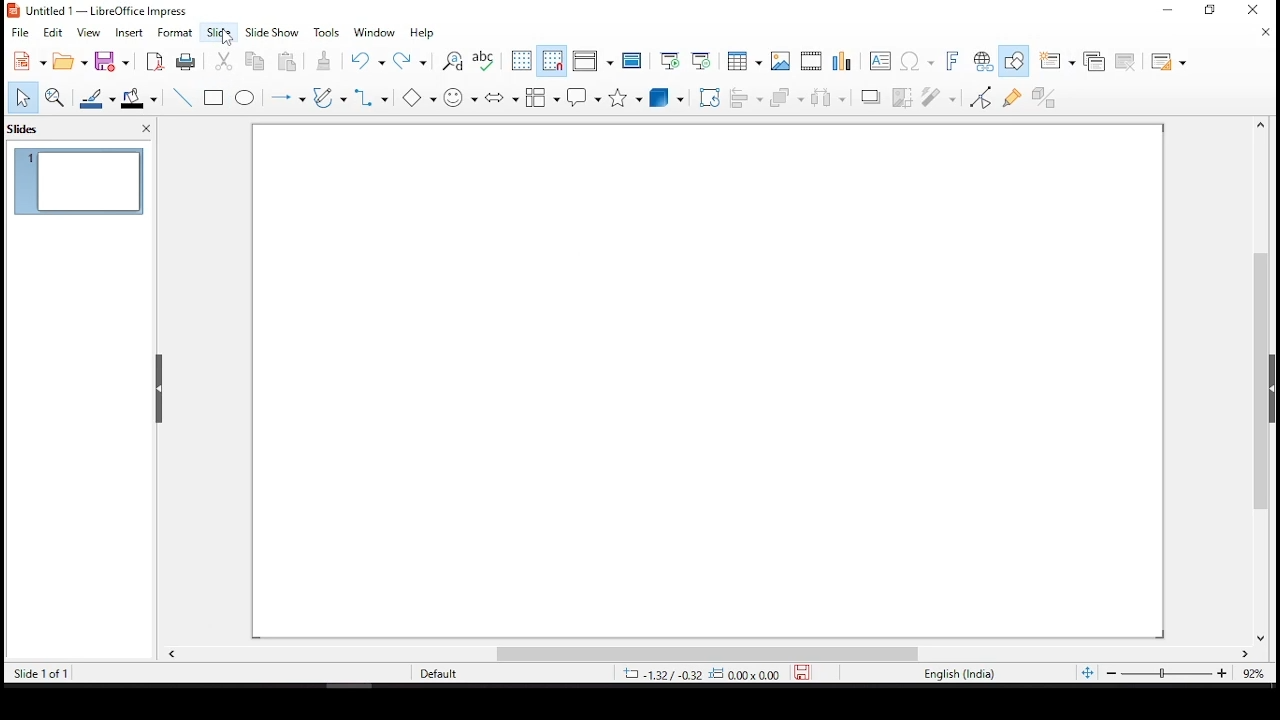 This screenshot has width=1280, height=720. Describe the element at coordinates (785, 99) in the screenshot. I see `arrange` at that location.